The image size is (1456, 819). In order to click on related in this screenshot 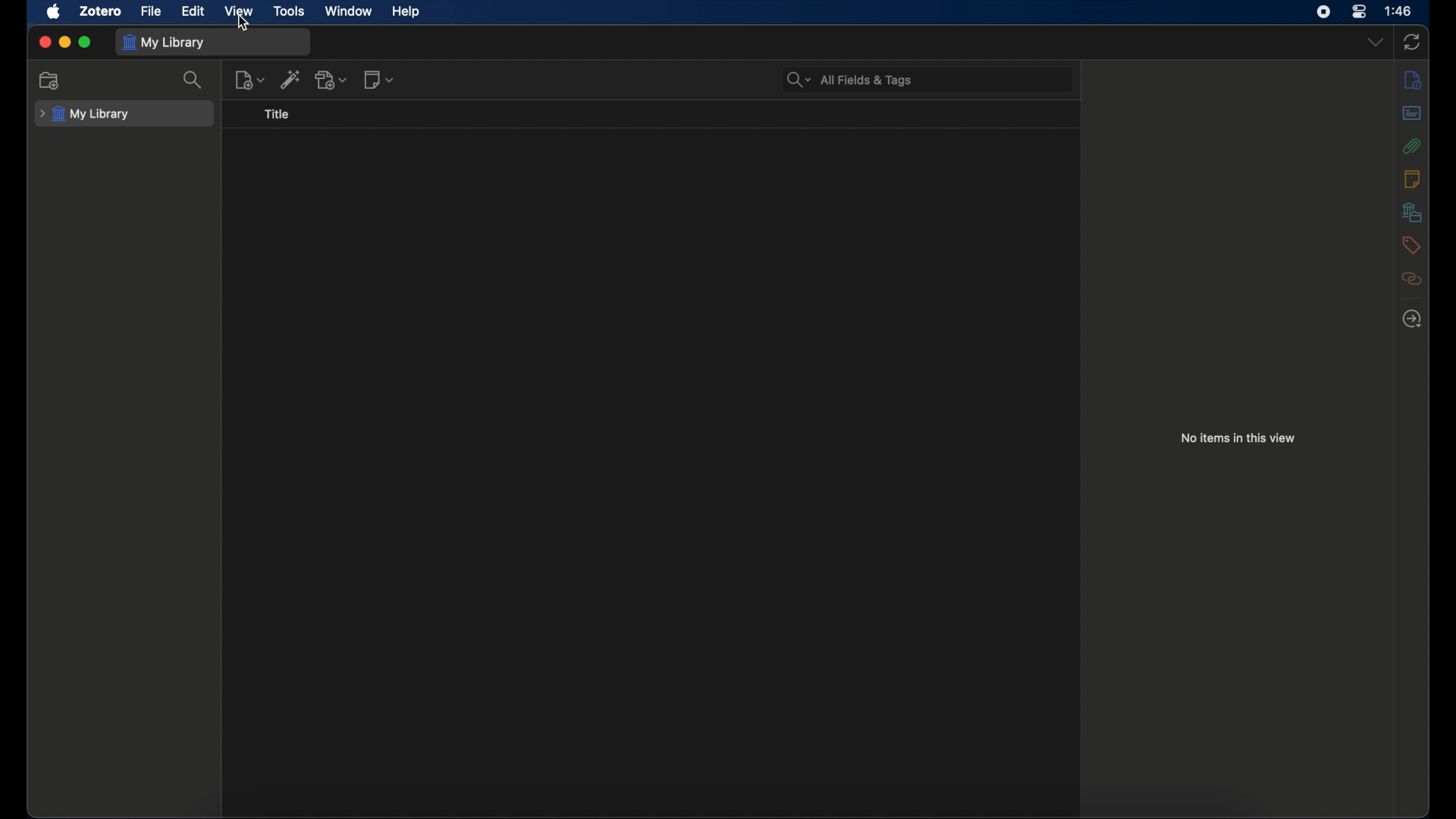, I will do `click(1410, 278)`.